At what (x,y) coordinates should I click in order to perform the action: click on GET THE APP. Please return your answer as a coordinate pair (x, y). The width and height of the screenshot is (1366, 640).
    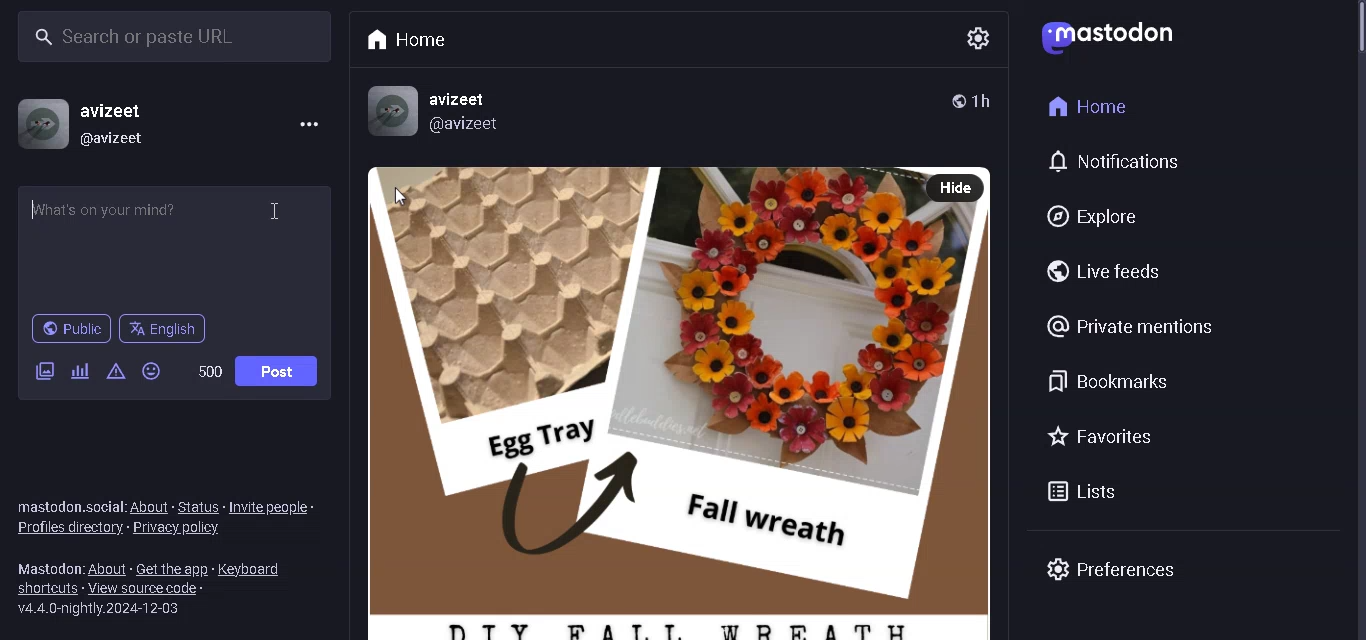
    Looking at the image, I should click on (172, 569).